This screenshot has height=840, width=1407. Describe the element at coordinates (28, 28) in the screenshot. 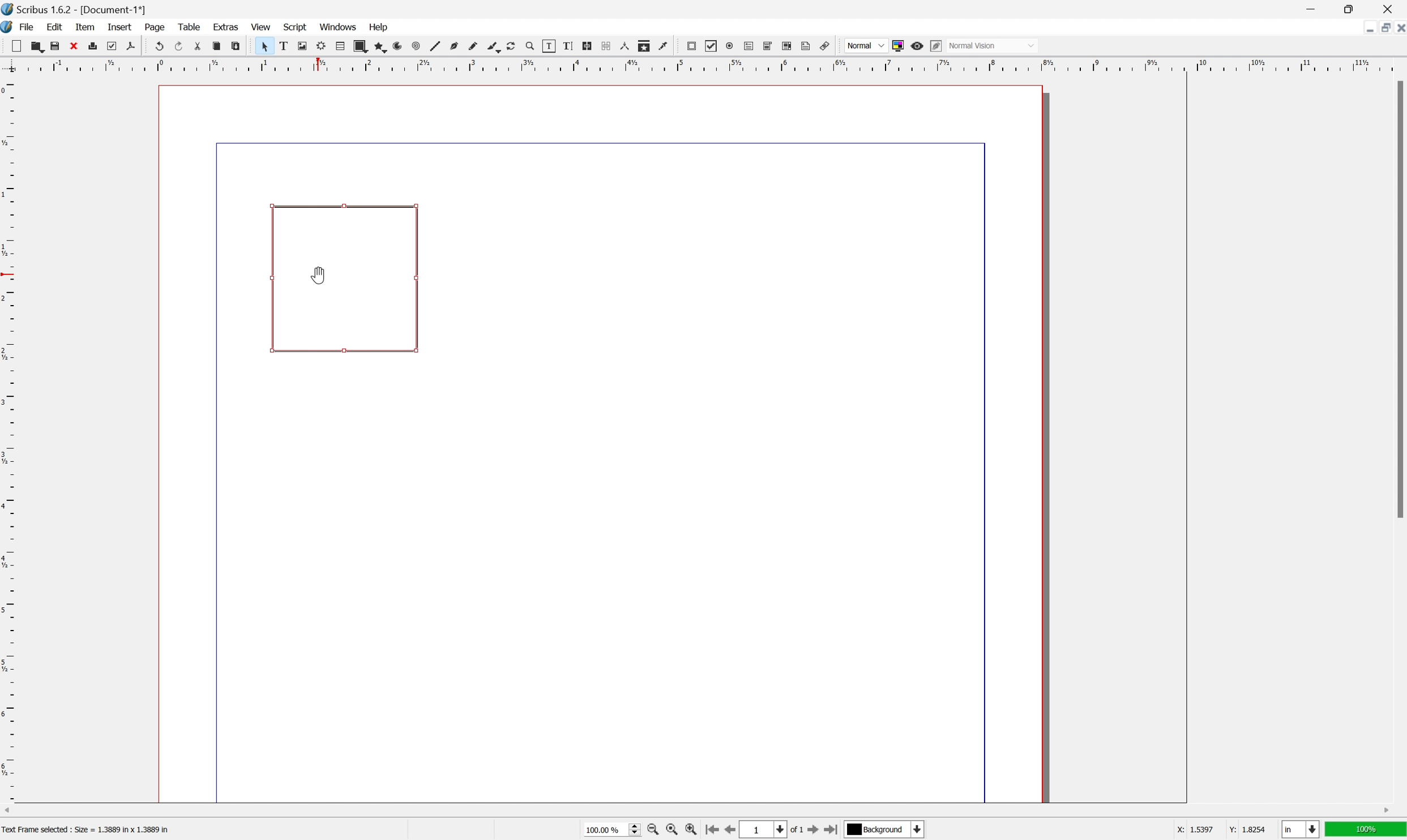

I see `file` at that location.